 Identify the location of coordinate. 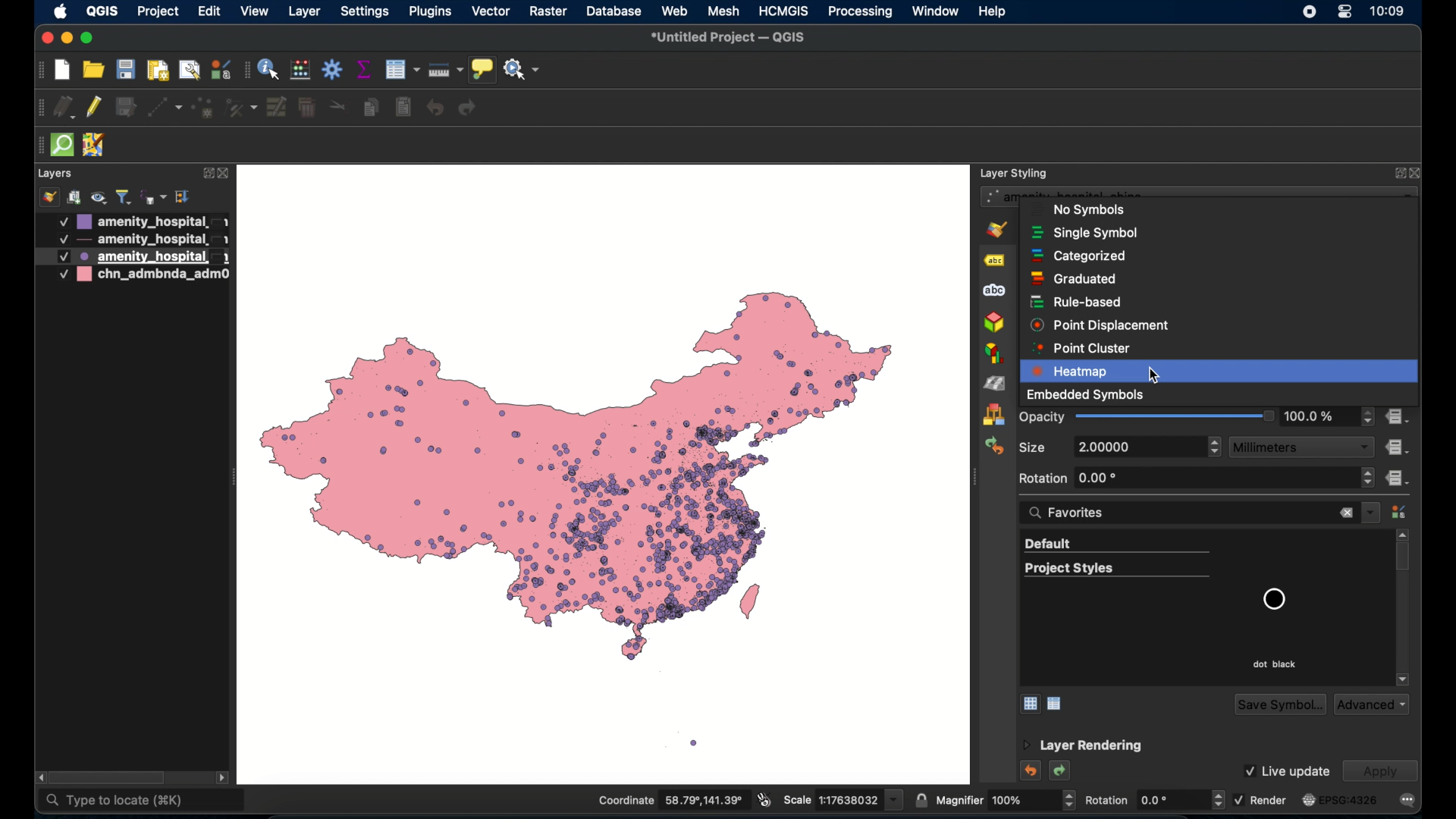
(670, 799).